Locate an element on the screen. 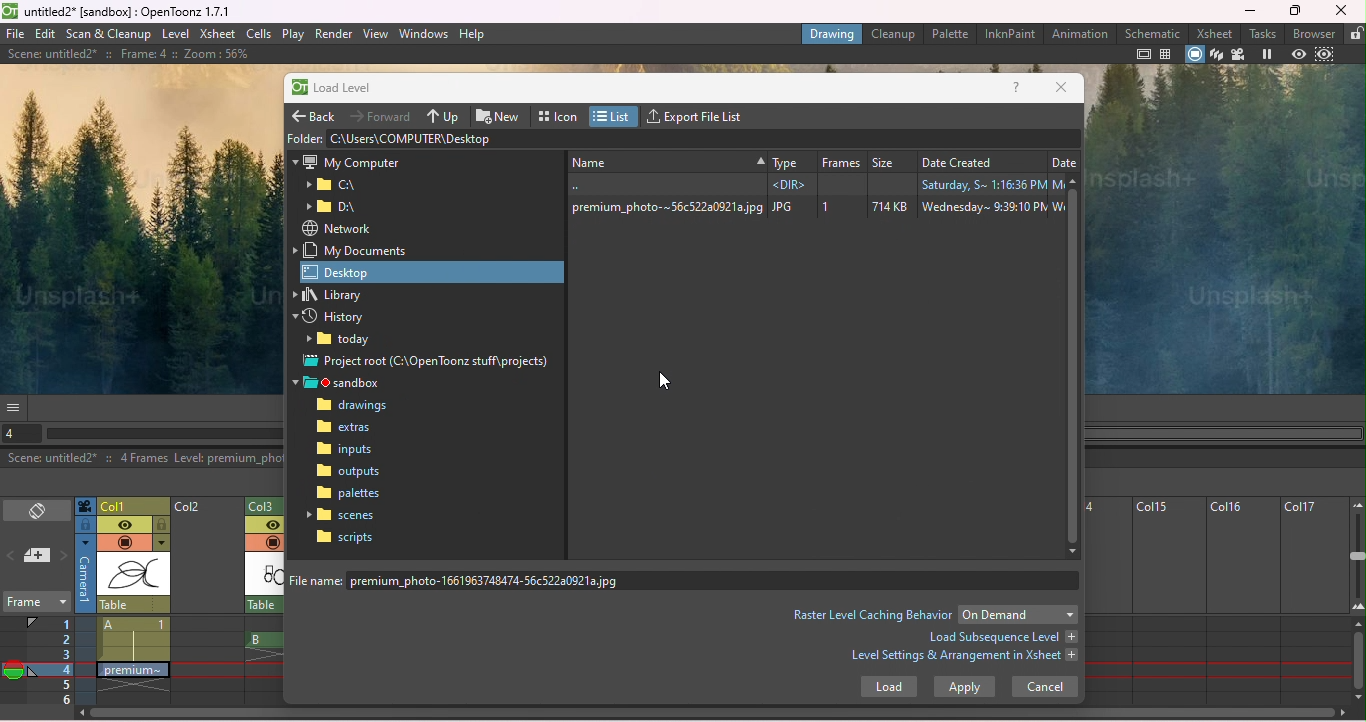 The width and height of the screenshot is (1366, 722). My computer is located at coordinates (346, 160).